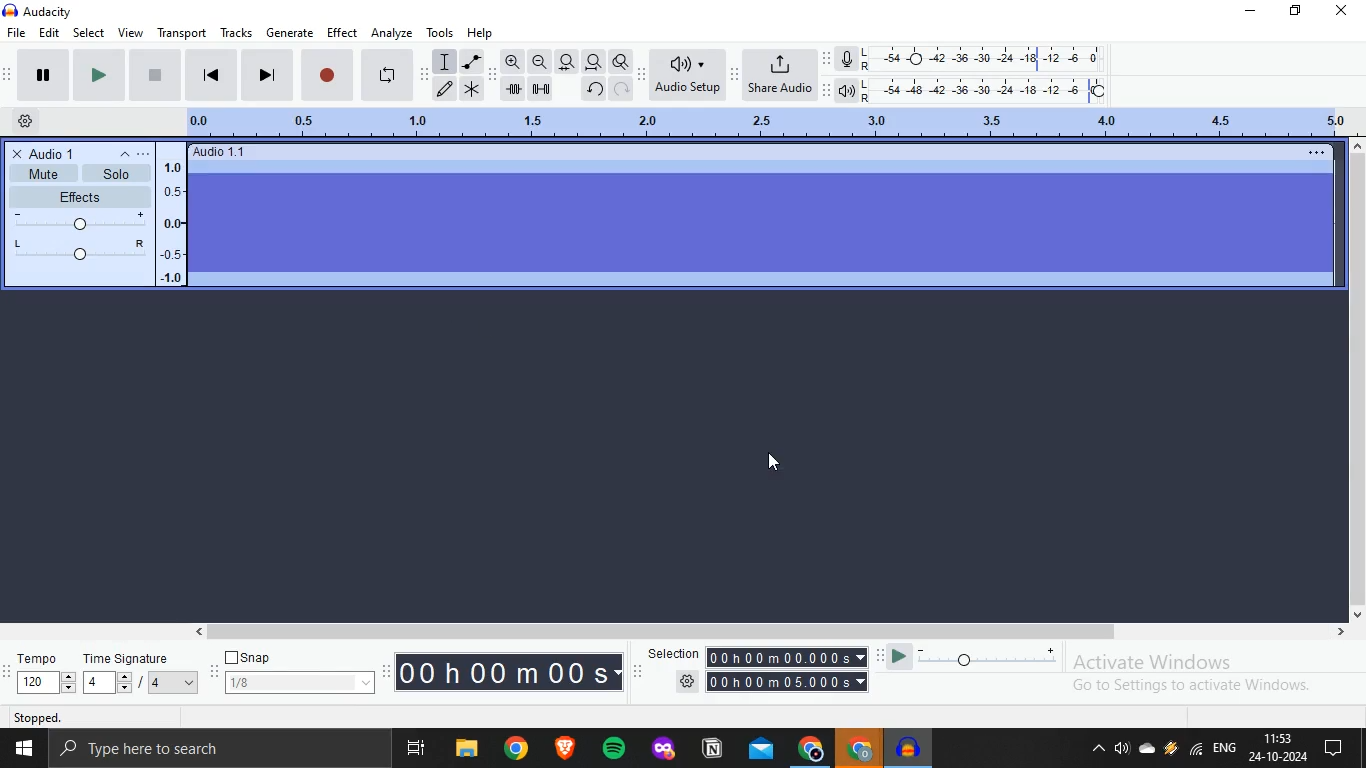 The height and width of the screenshot is (768, 1366). I want to click on Backward, so click(216, 76).